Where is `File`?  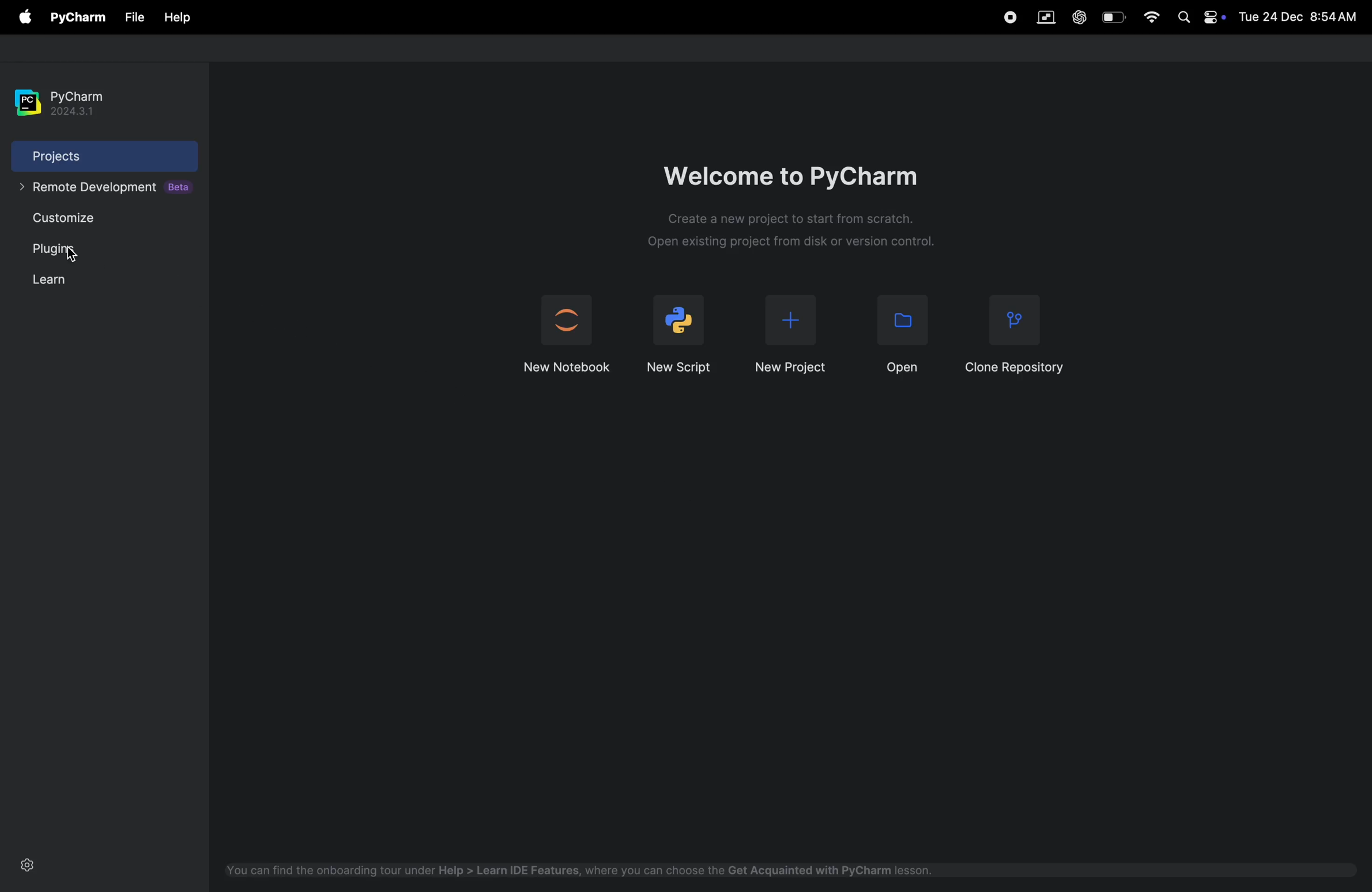
File is located at coordinates (133, 18).